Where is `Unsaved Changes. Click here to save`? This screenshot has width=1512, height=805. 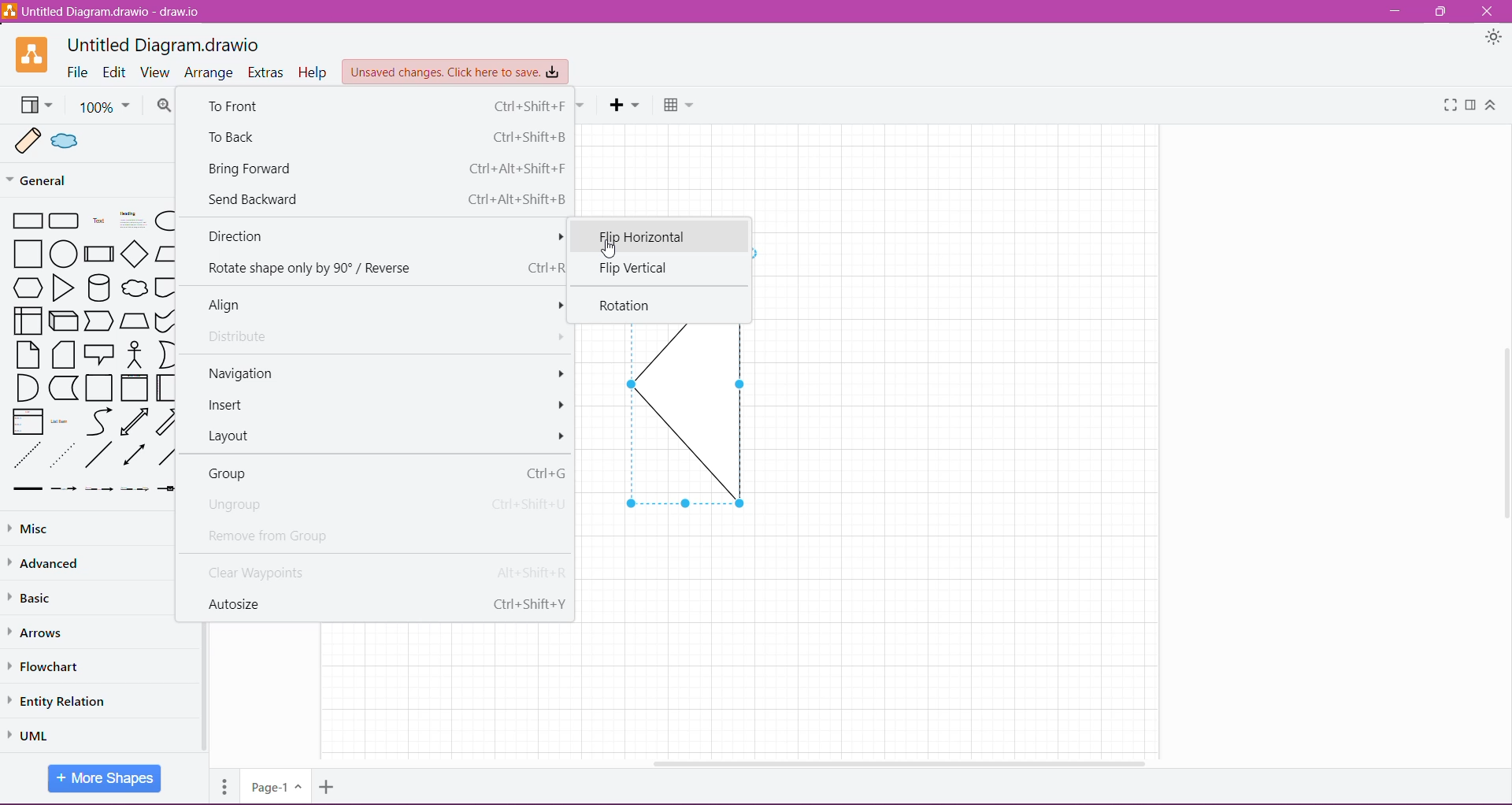 Unsaved Changes. Click here to save is located at coordinates (454, 72).